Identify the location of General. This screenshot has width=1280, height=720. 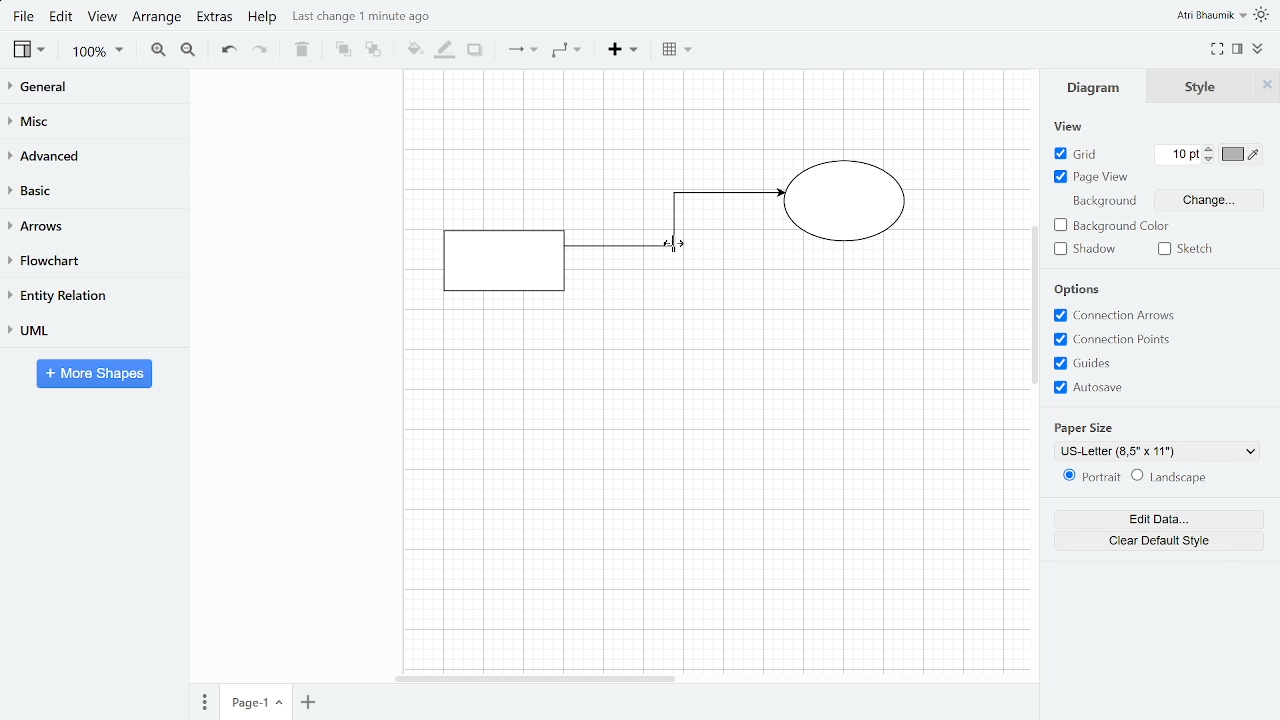
(93, 89).